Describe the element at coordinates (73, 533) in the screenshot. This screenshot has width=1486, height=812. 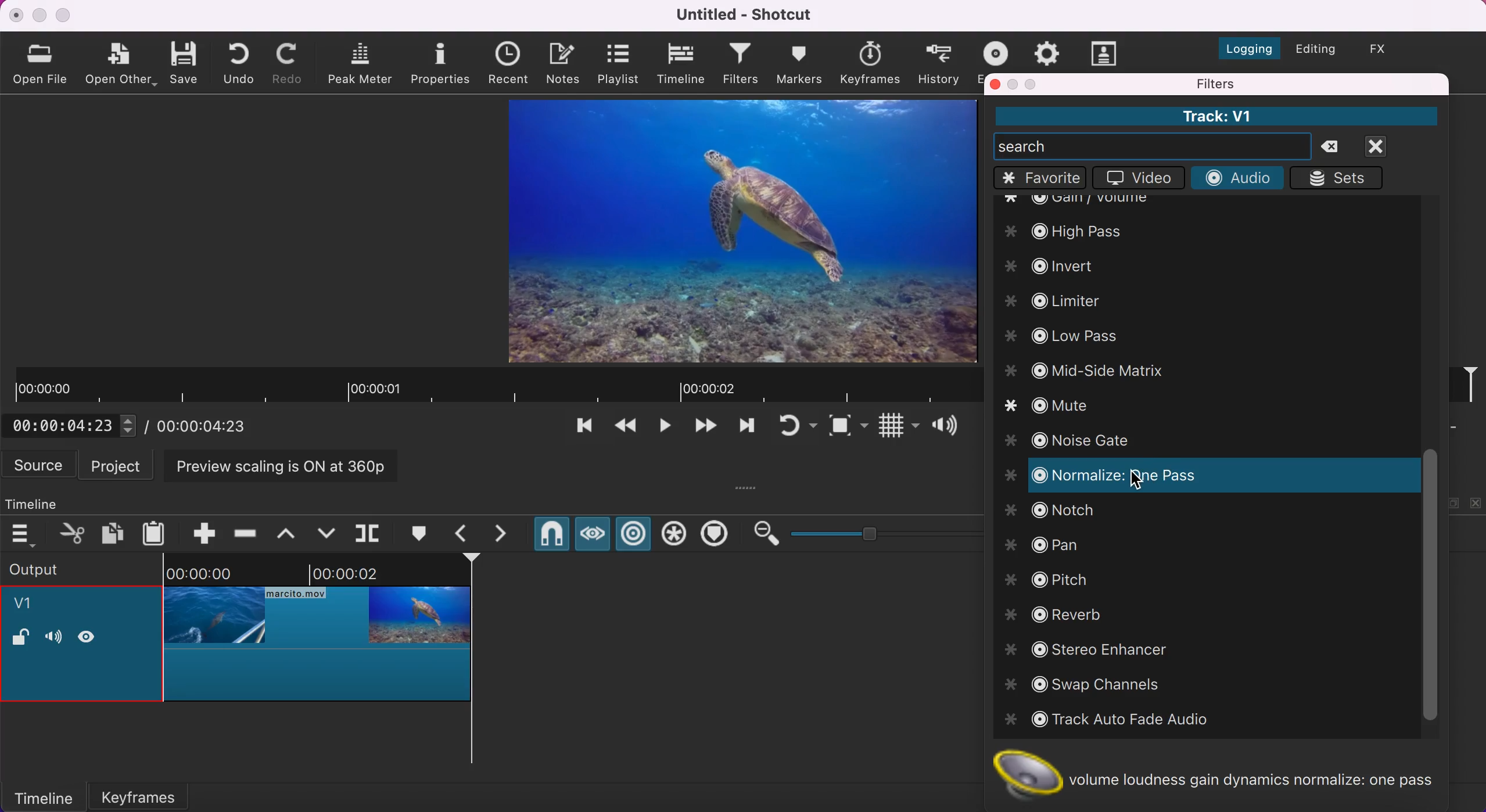
I see `cut` at that location.